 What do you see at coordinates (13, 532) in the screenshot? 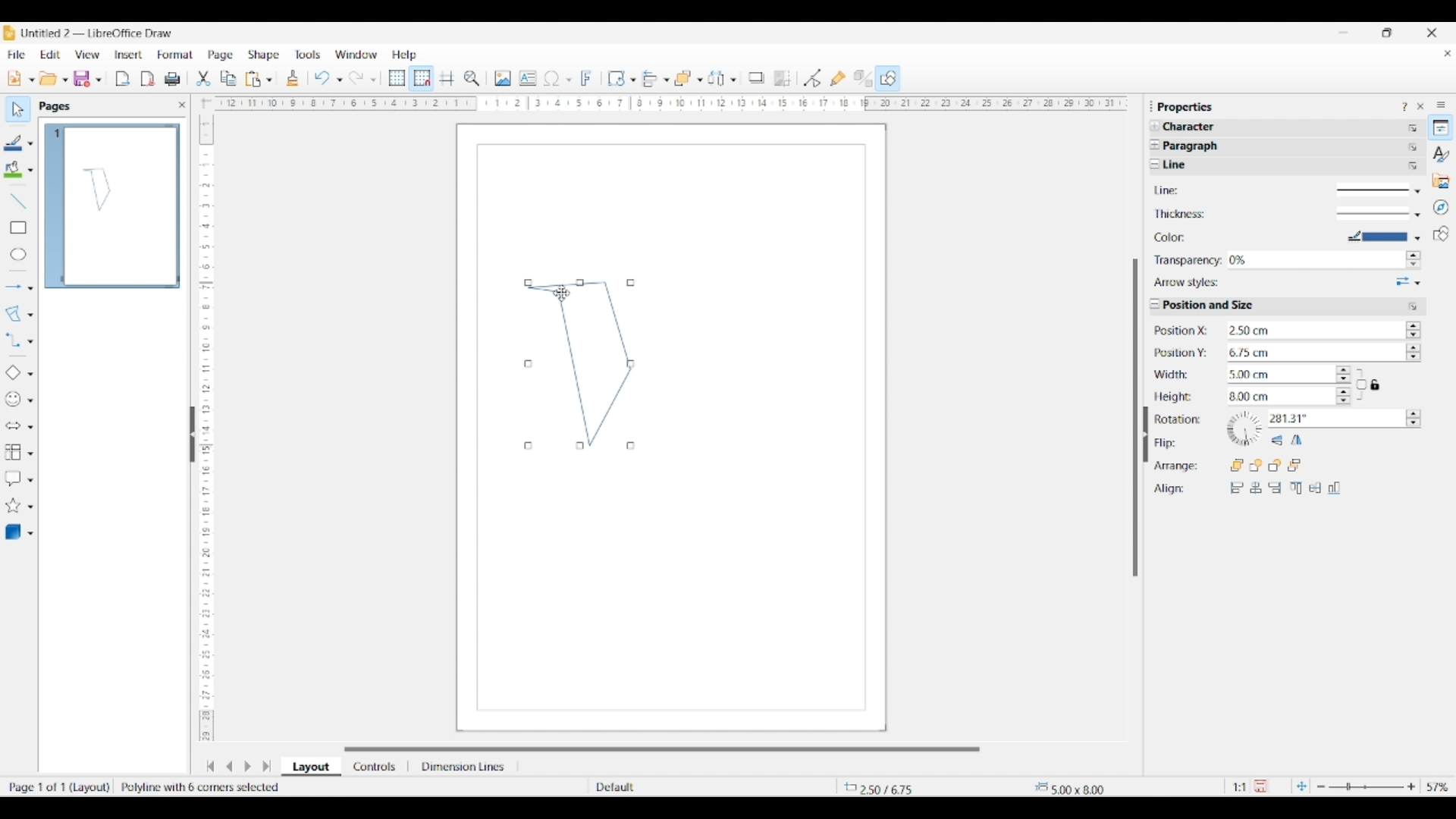
I see `Selected 3D object` at bounding box center [13, 532].